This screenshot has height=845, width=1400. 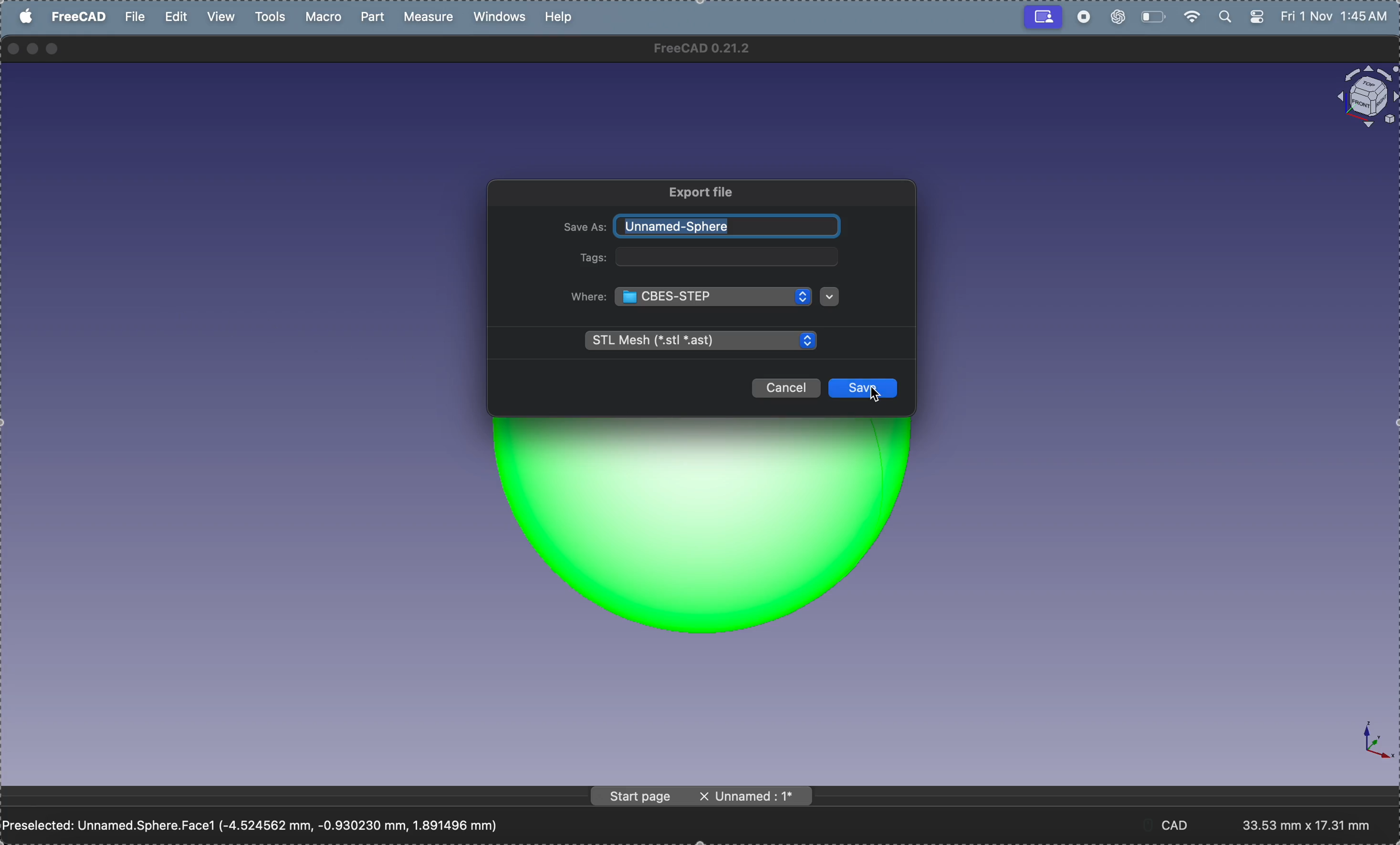 What do you see at coordinates (223, 16) in the screenshot?
I see `view` at bounding box center [223, 16].